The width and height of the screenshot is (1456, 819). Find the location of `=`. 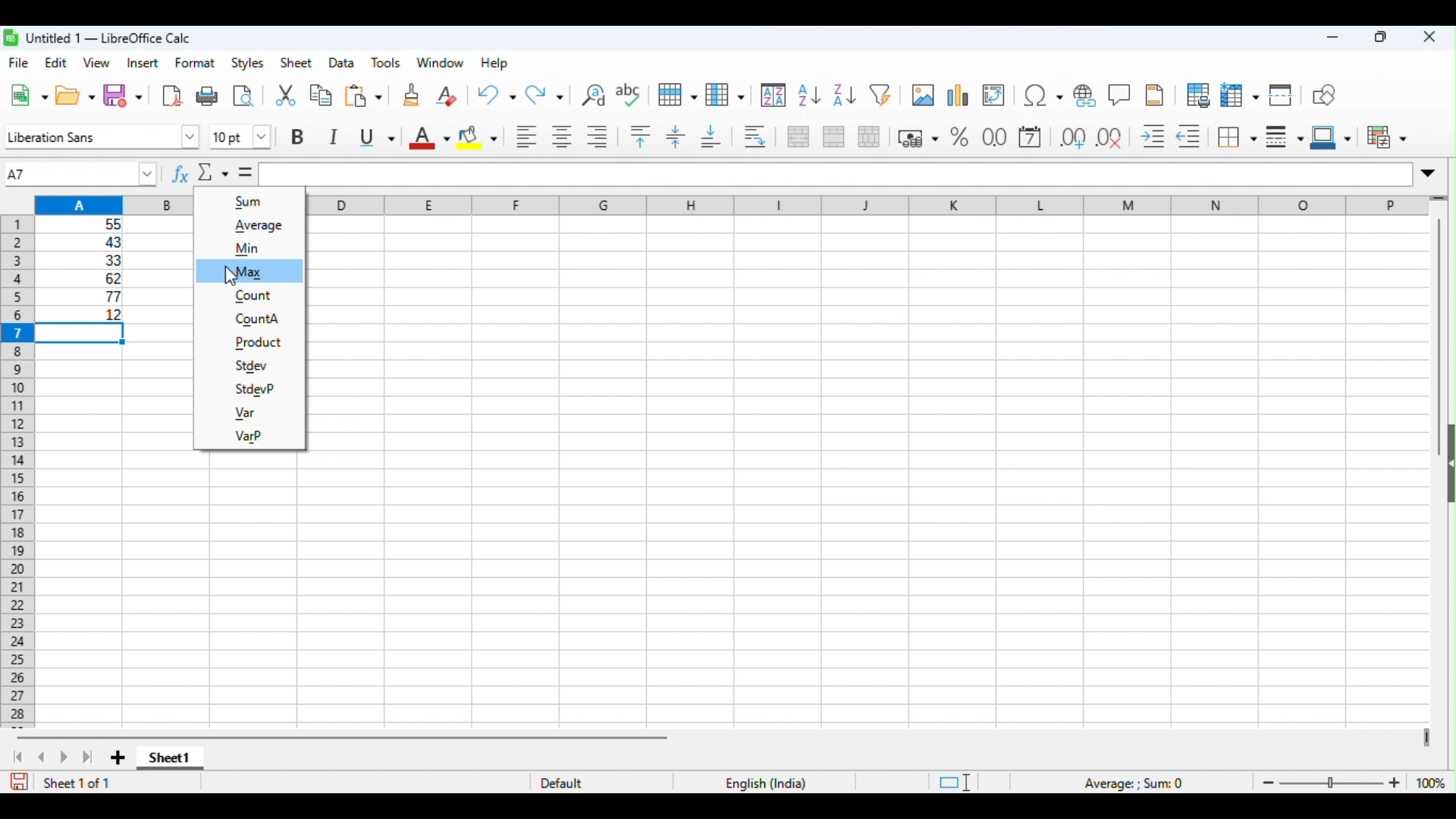

= is located at coordinates (246, 173).